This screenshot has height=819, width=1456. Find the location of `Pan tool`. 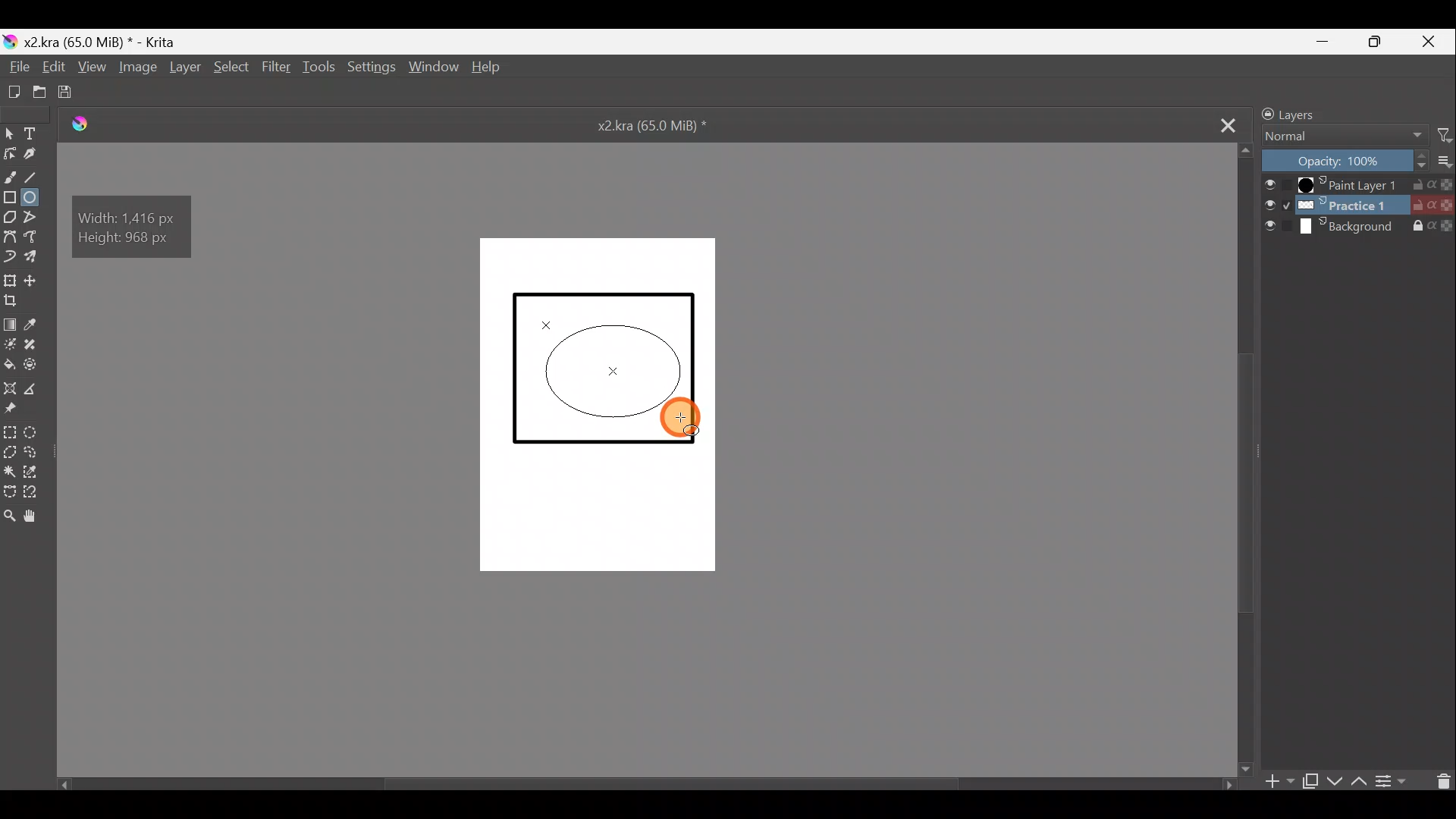

Pan tool is located at coordinates (39, 516).